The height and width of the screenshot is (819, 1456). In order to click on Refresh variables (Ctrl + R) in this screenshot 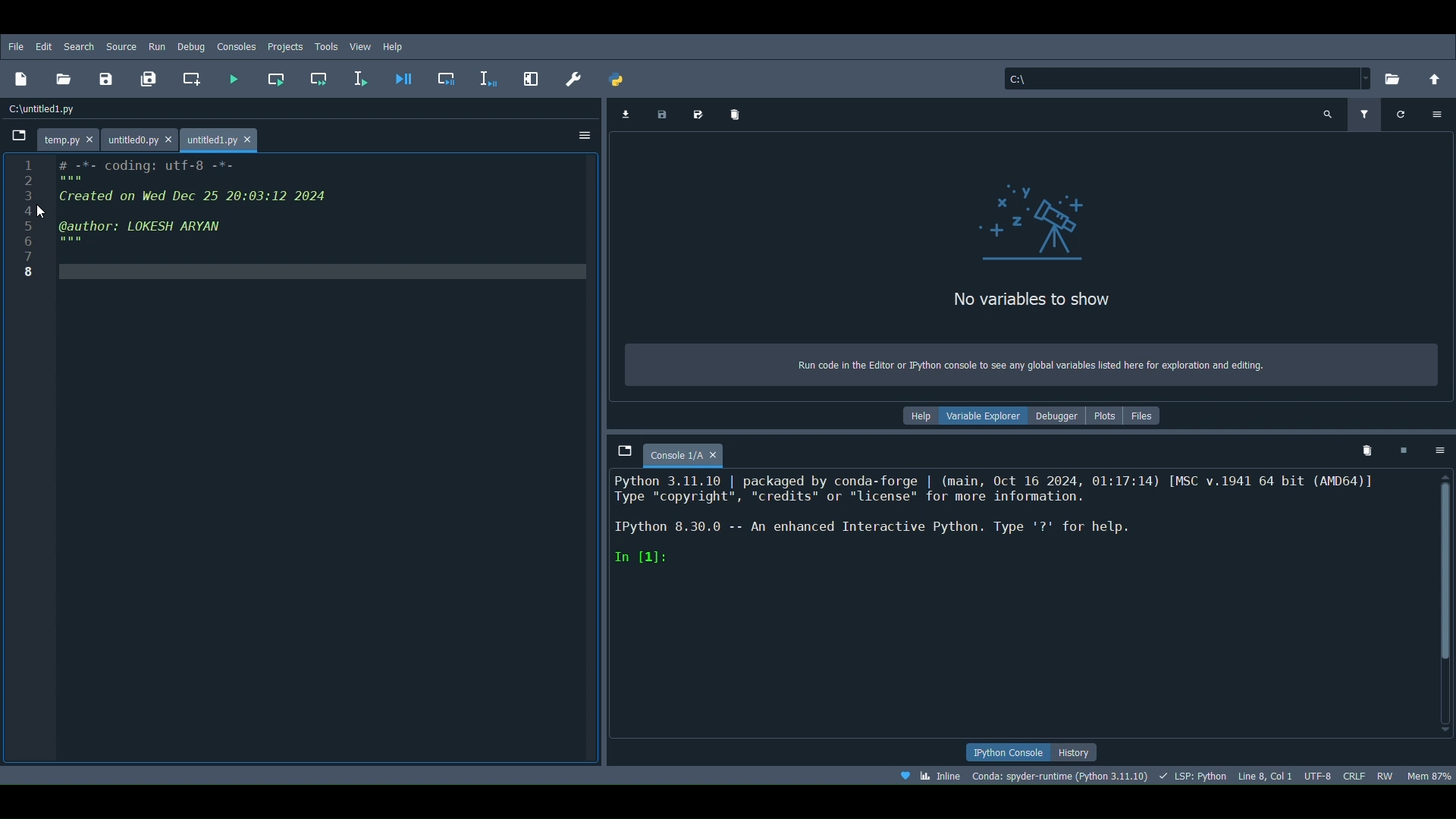, I will do `click(1401, 115)`.